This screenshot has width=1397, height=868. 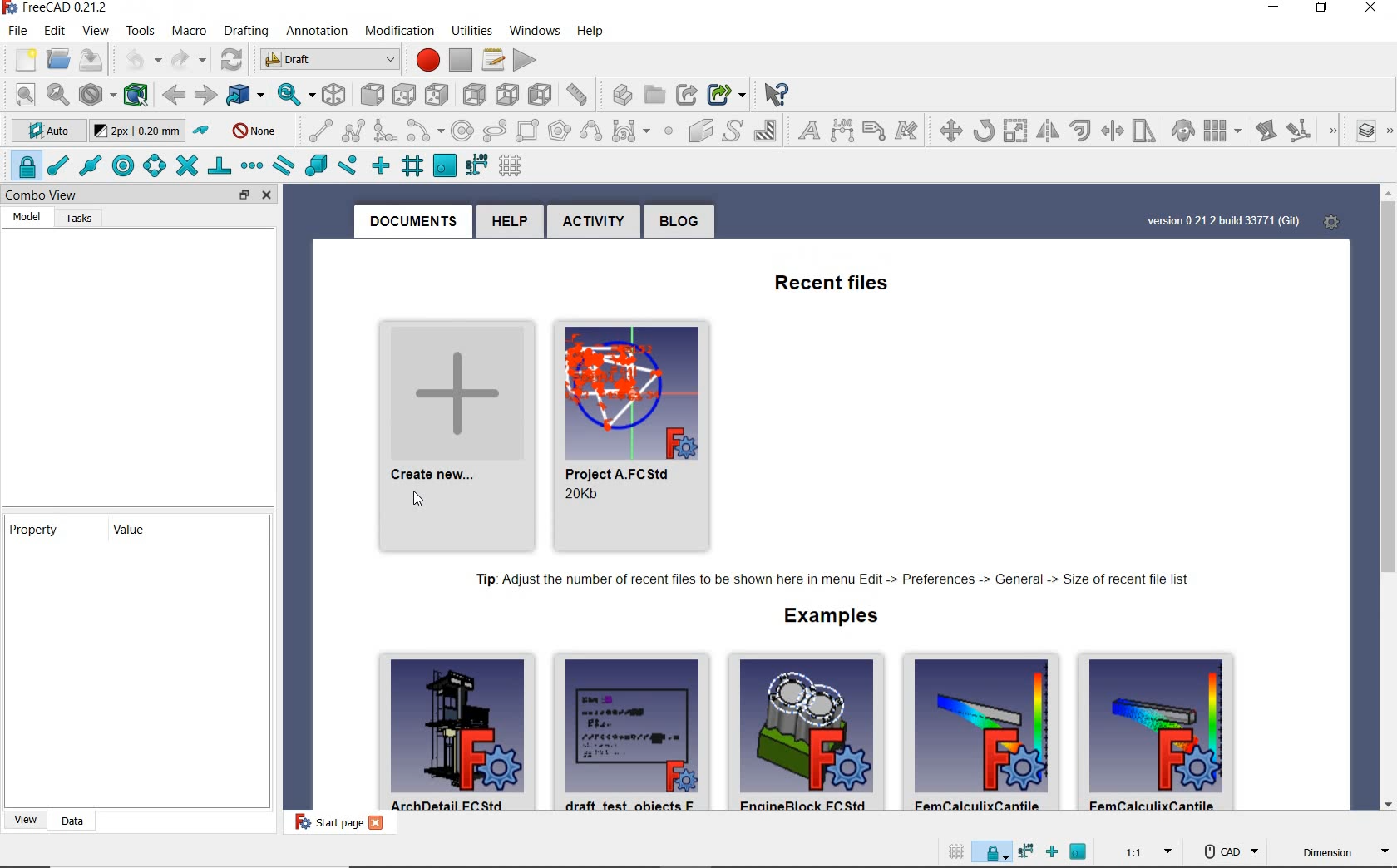 I want to click on snap special, so click(x=316, y=165).